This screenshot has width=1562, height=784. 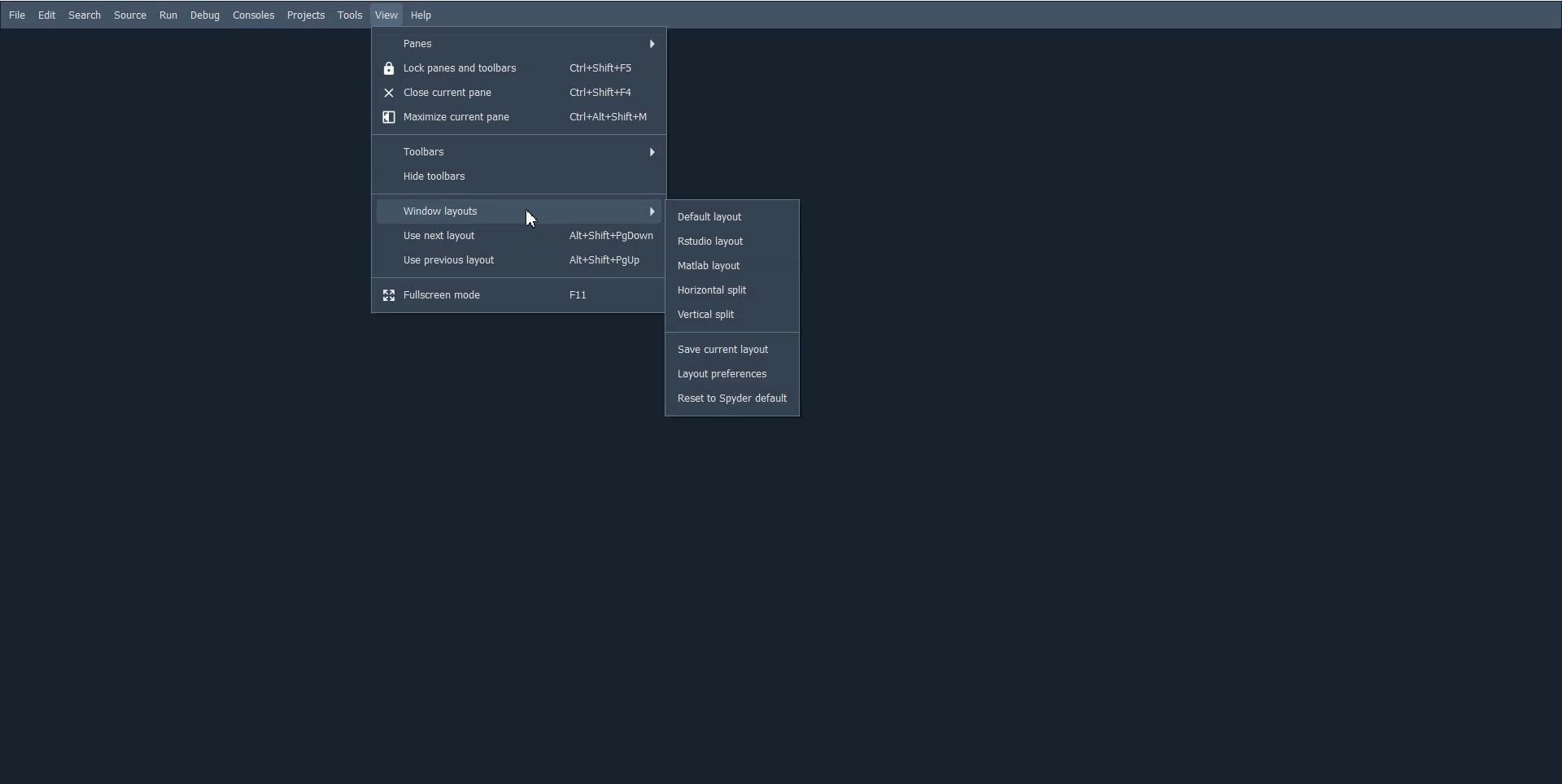 What do you see at coordinates (47, 15) in the screenshot?
I see `Edit` at bounding box center [47, 15].